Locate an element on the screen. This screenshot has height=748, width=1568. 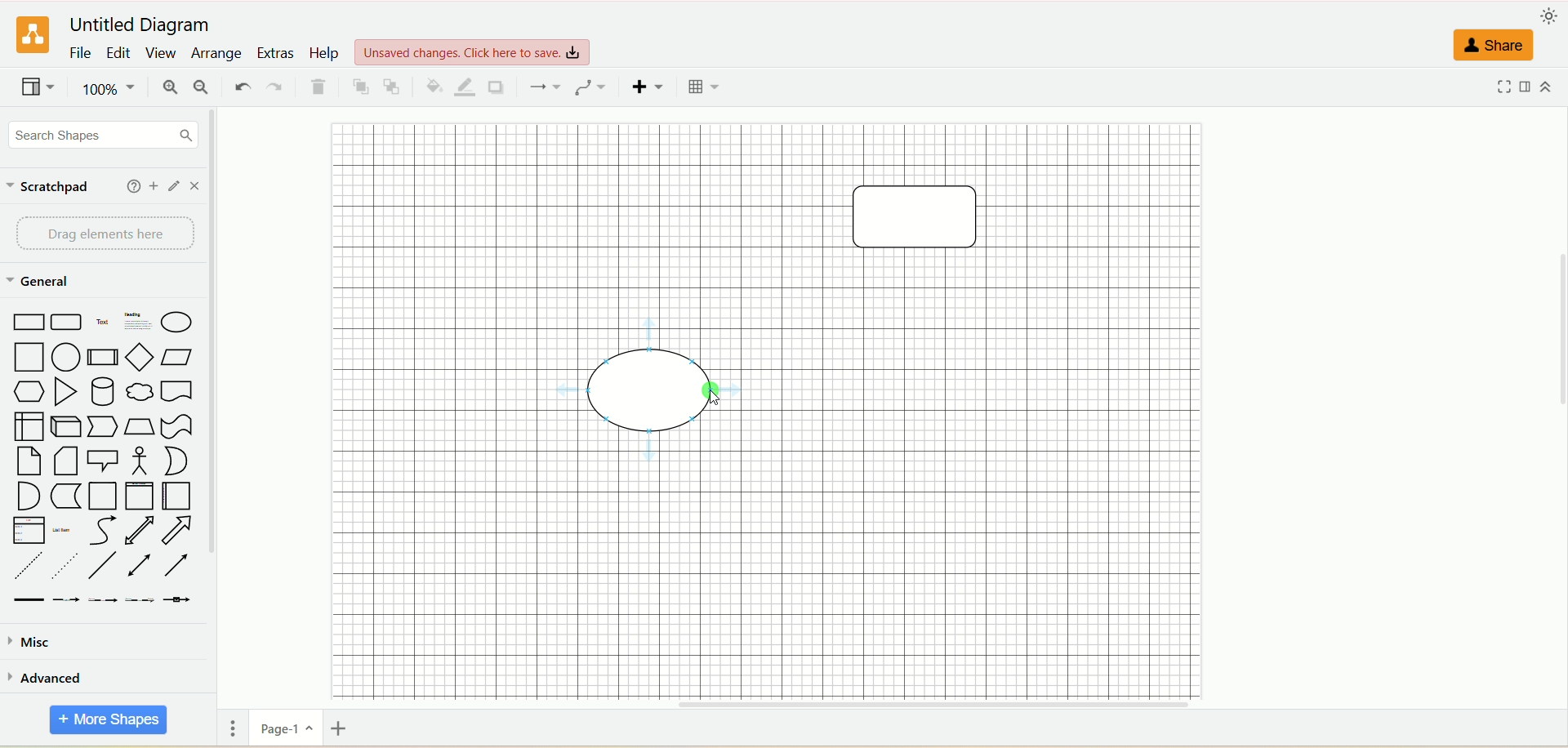
extras is located at coordinates (276, 51).